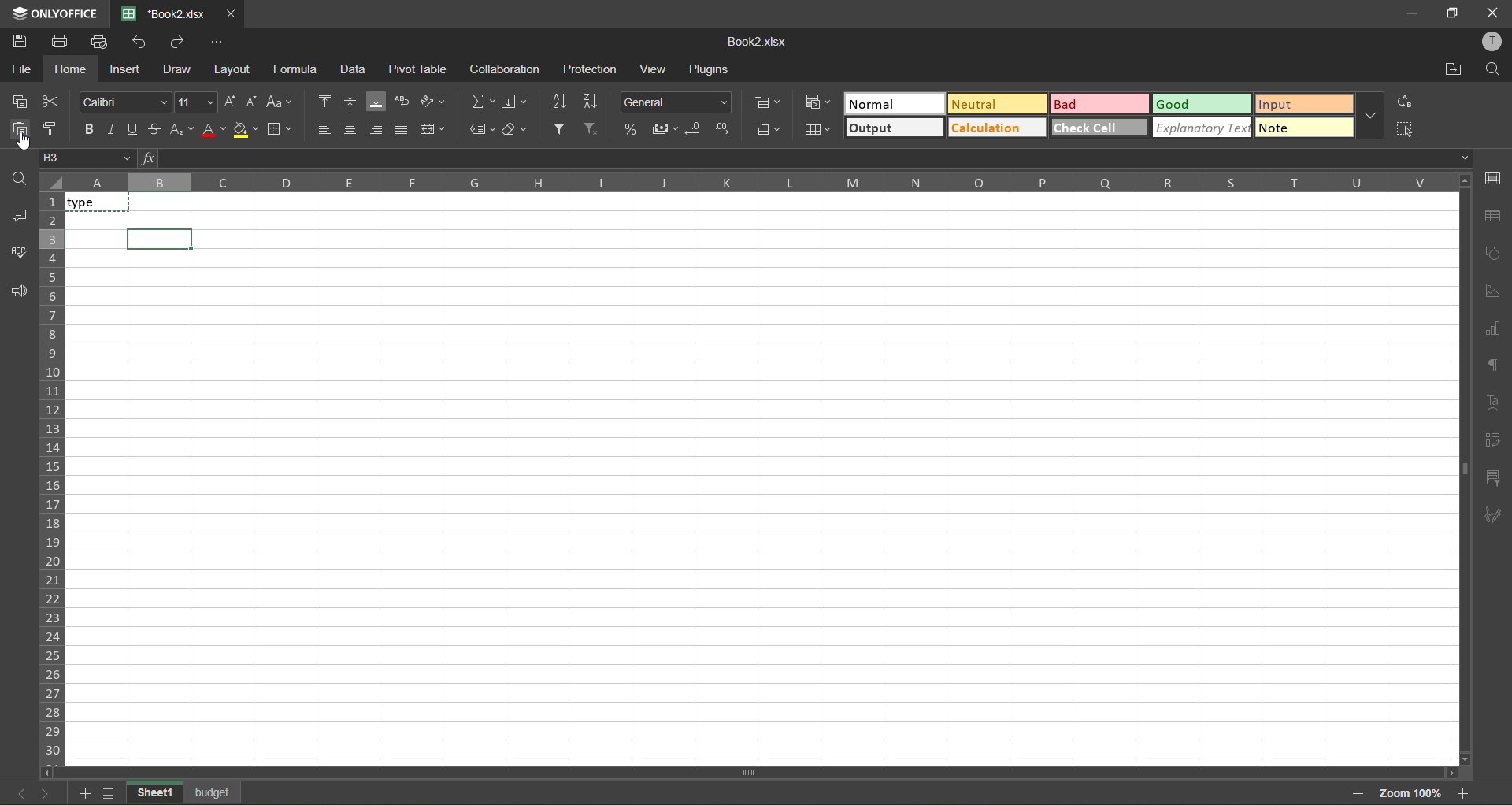 This screenshot has width=1512, height=805. I want to click on copy style, so click(53, 129).